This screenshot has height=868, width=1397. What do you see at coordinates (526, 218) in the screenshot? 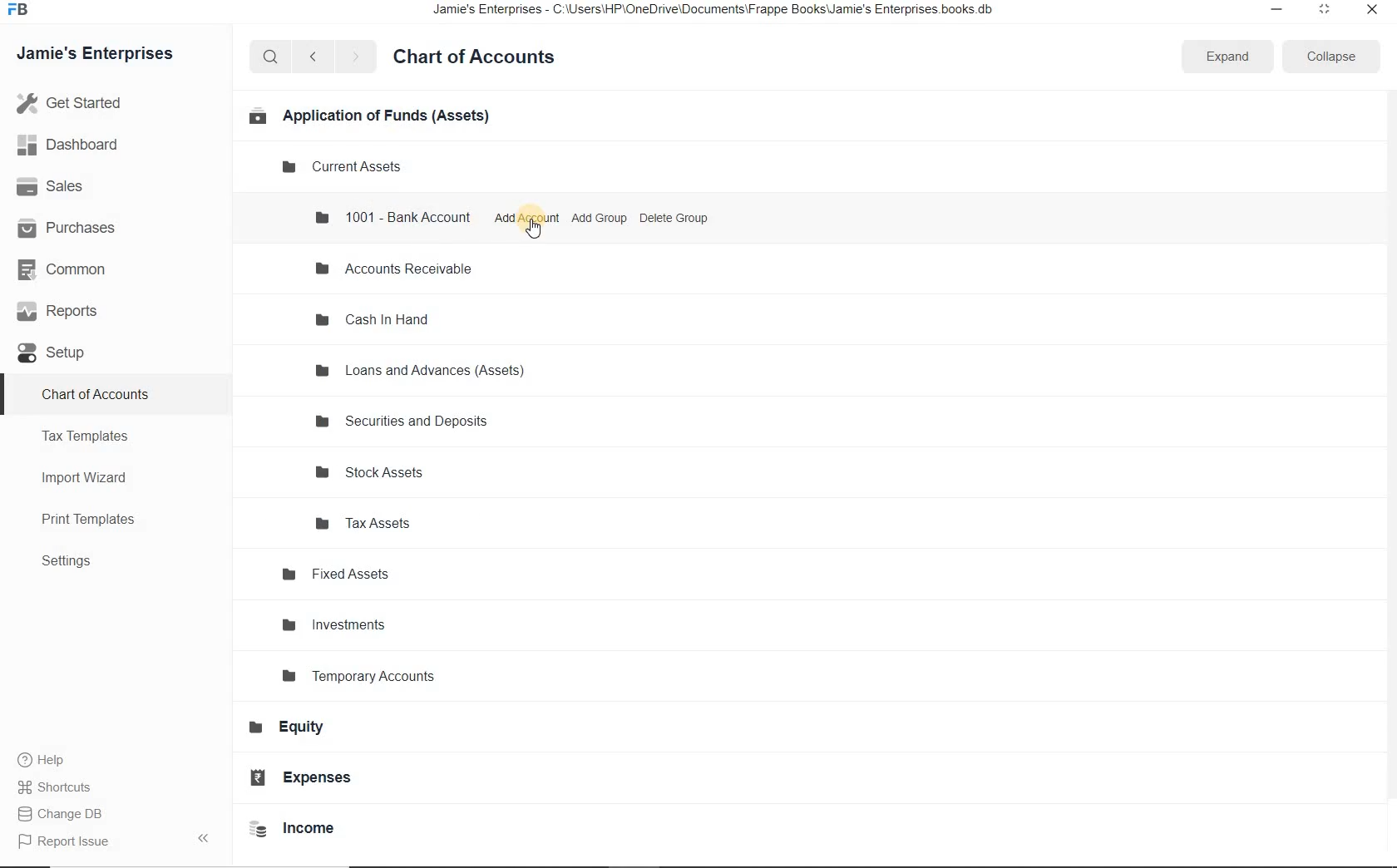
I see `Add Account` at bounding box center [526, 218].